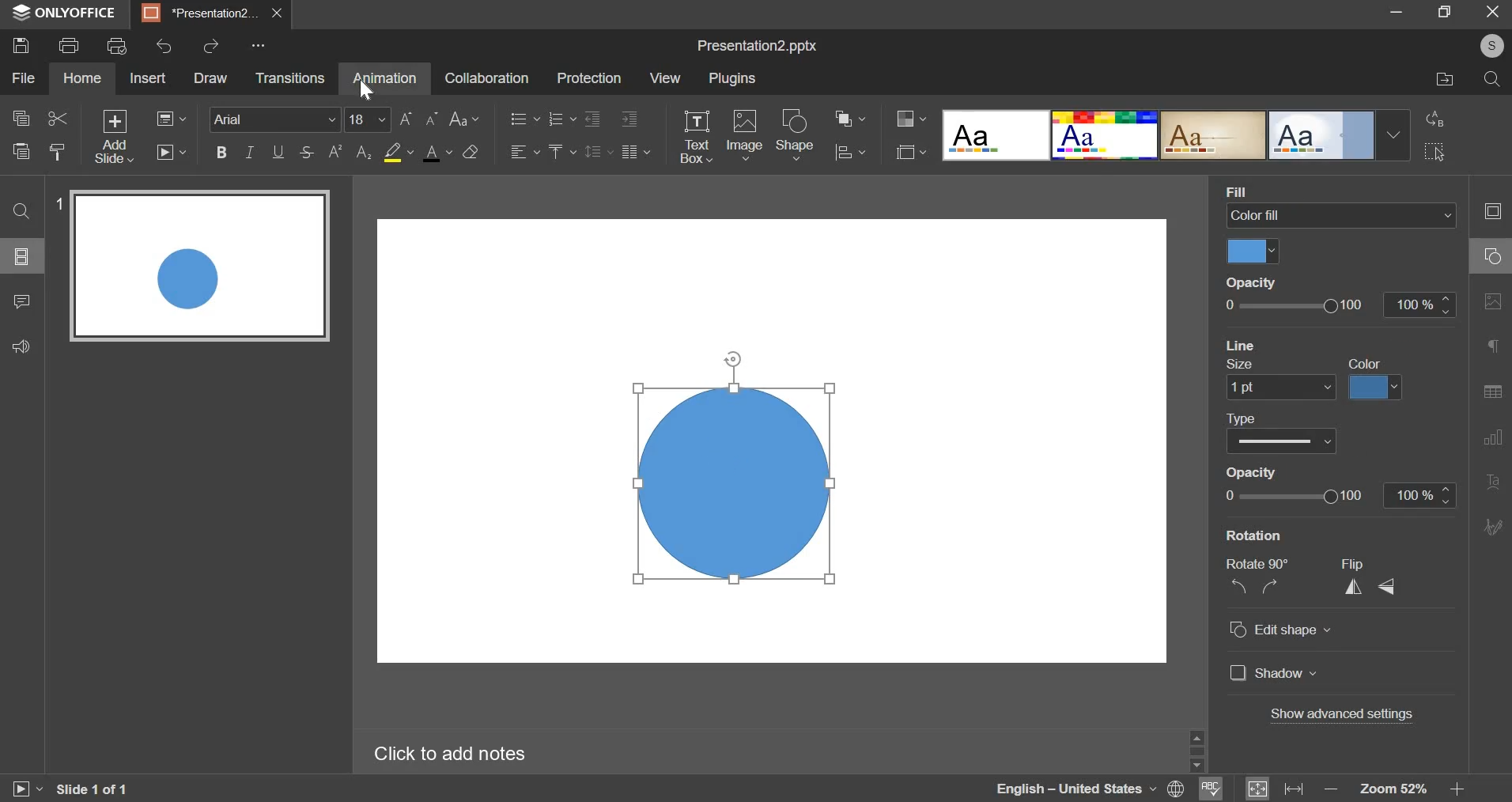  I want to click on exit, so click(1496, 13).